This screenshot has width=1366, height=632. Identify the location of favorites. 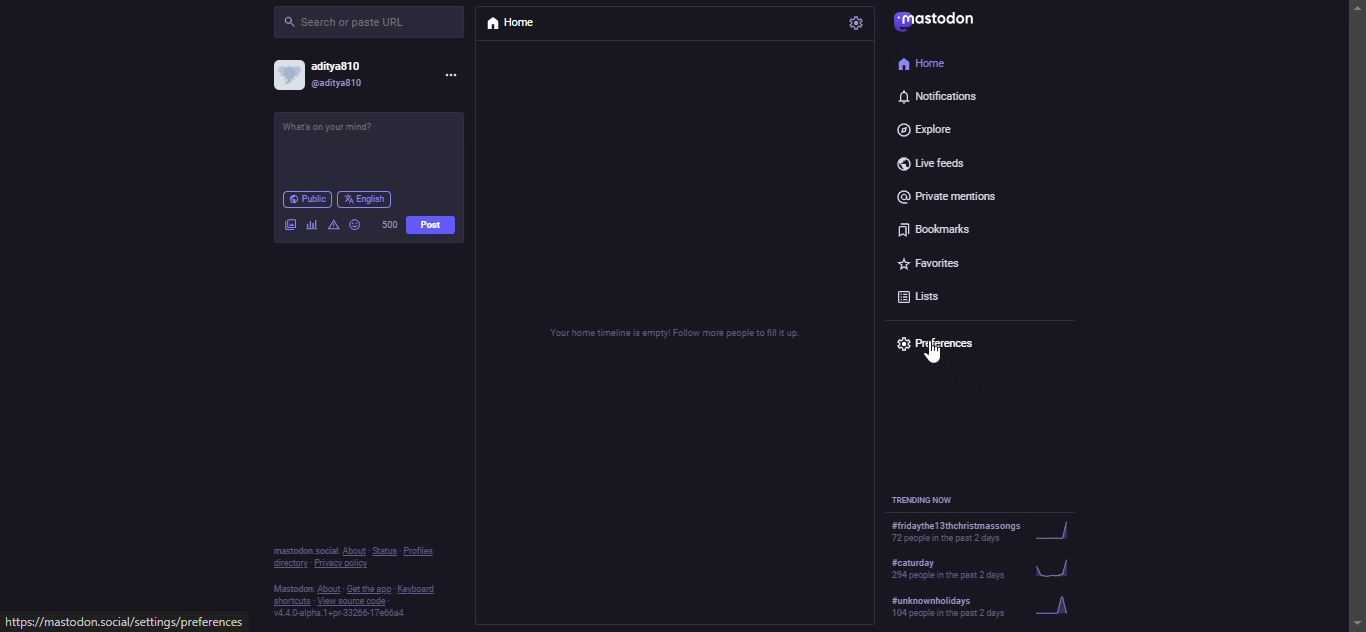
(933, 266).